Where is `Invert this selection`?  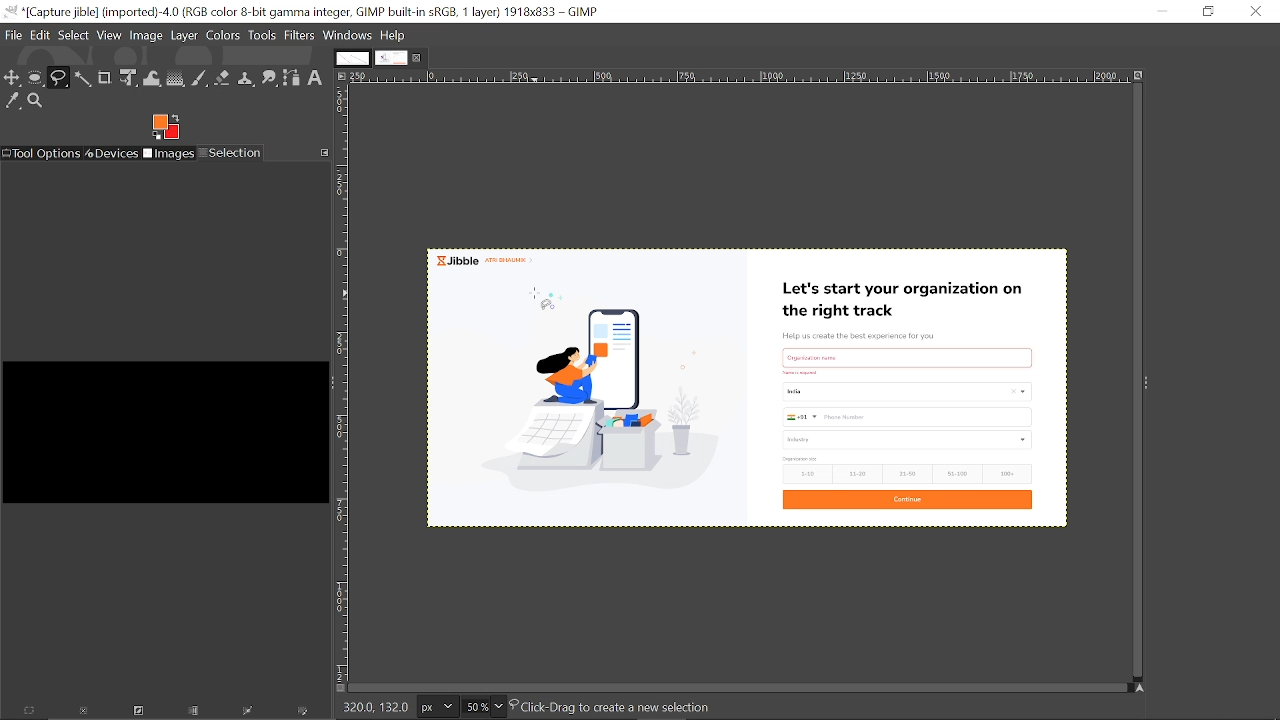
Invert this selection is located at coordinates (135, 713).